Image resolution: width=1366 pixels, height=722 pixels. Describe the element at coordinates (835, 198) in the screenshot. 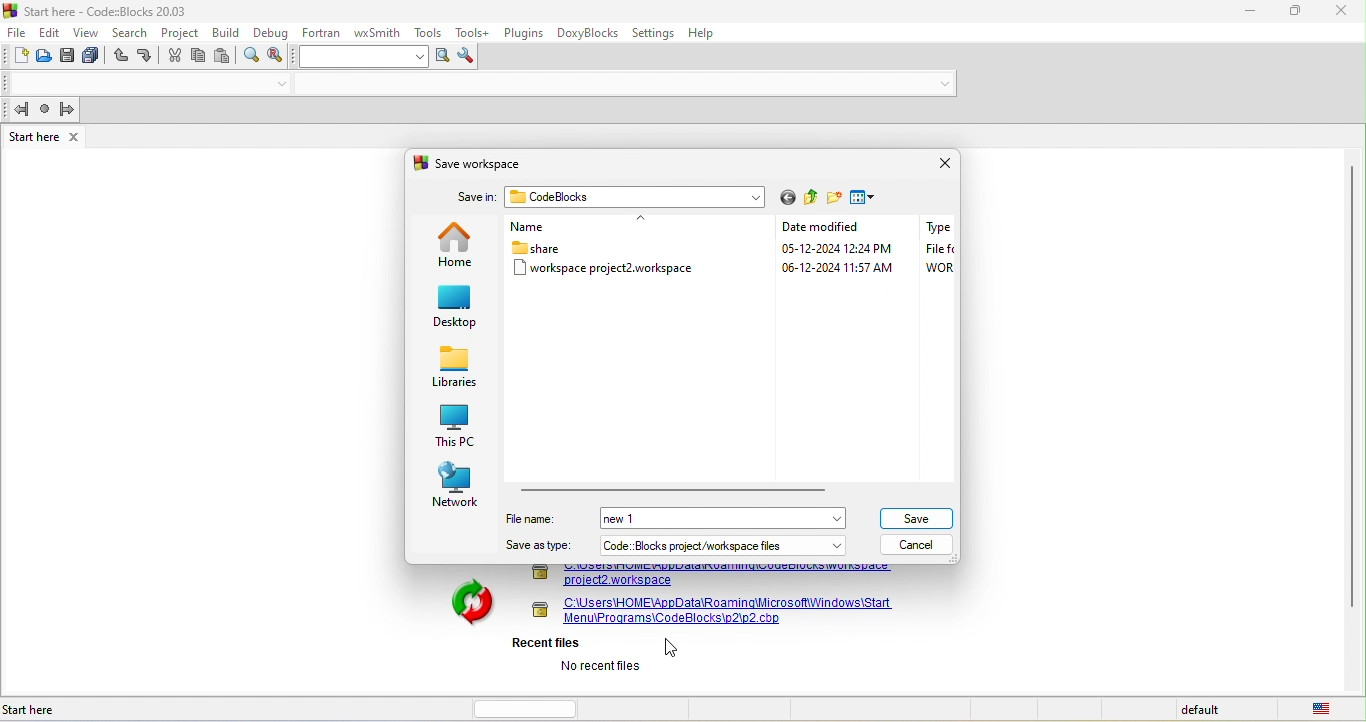

I see `create new folder` at that location.